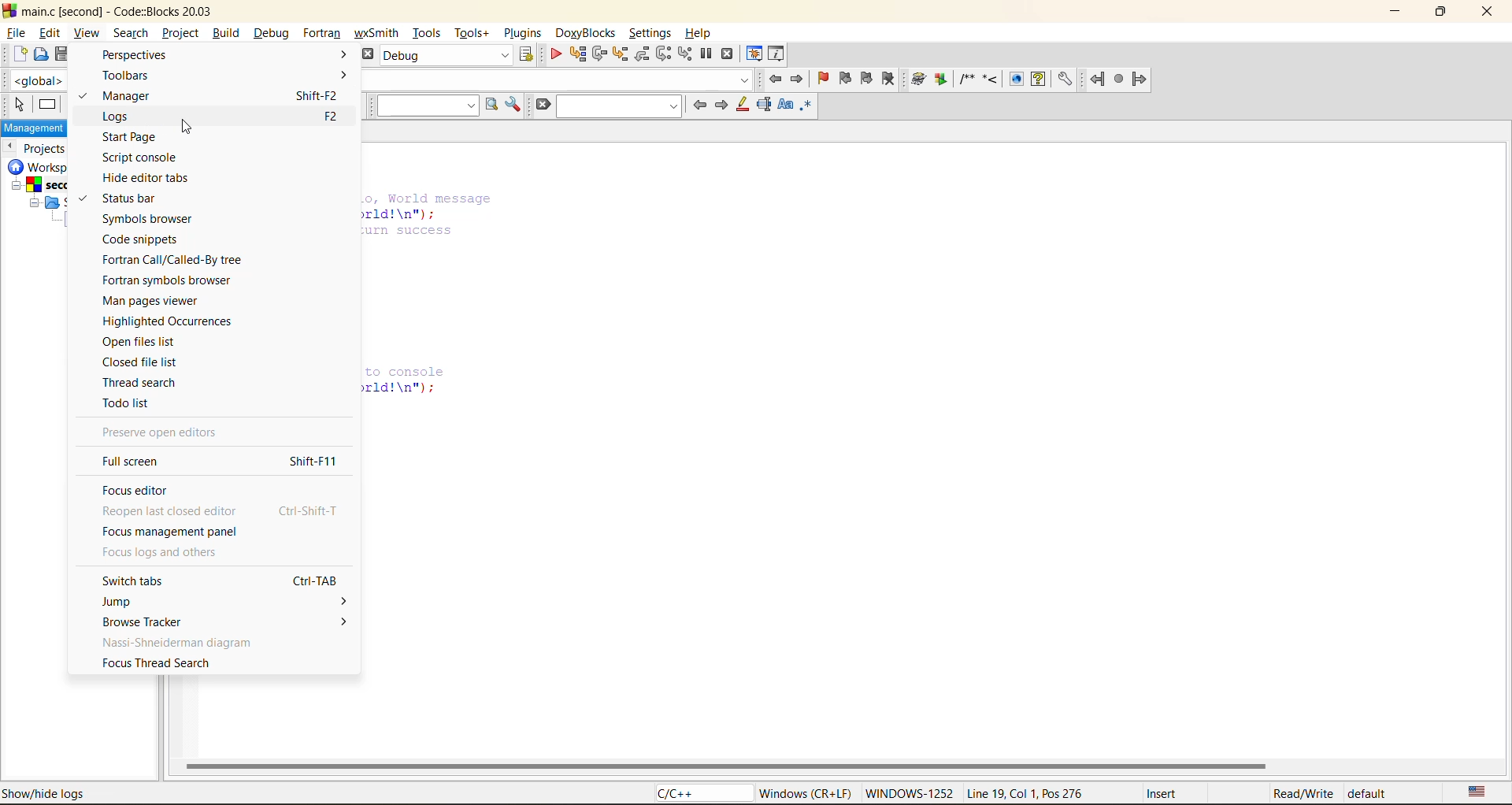 The image size is (1512, 805). What do you see at coordinates (698, 105) in the screenshot?
I see `previous` at bounding box center [698, 105].